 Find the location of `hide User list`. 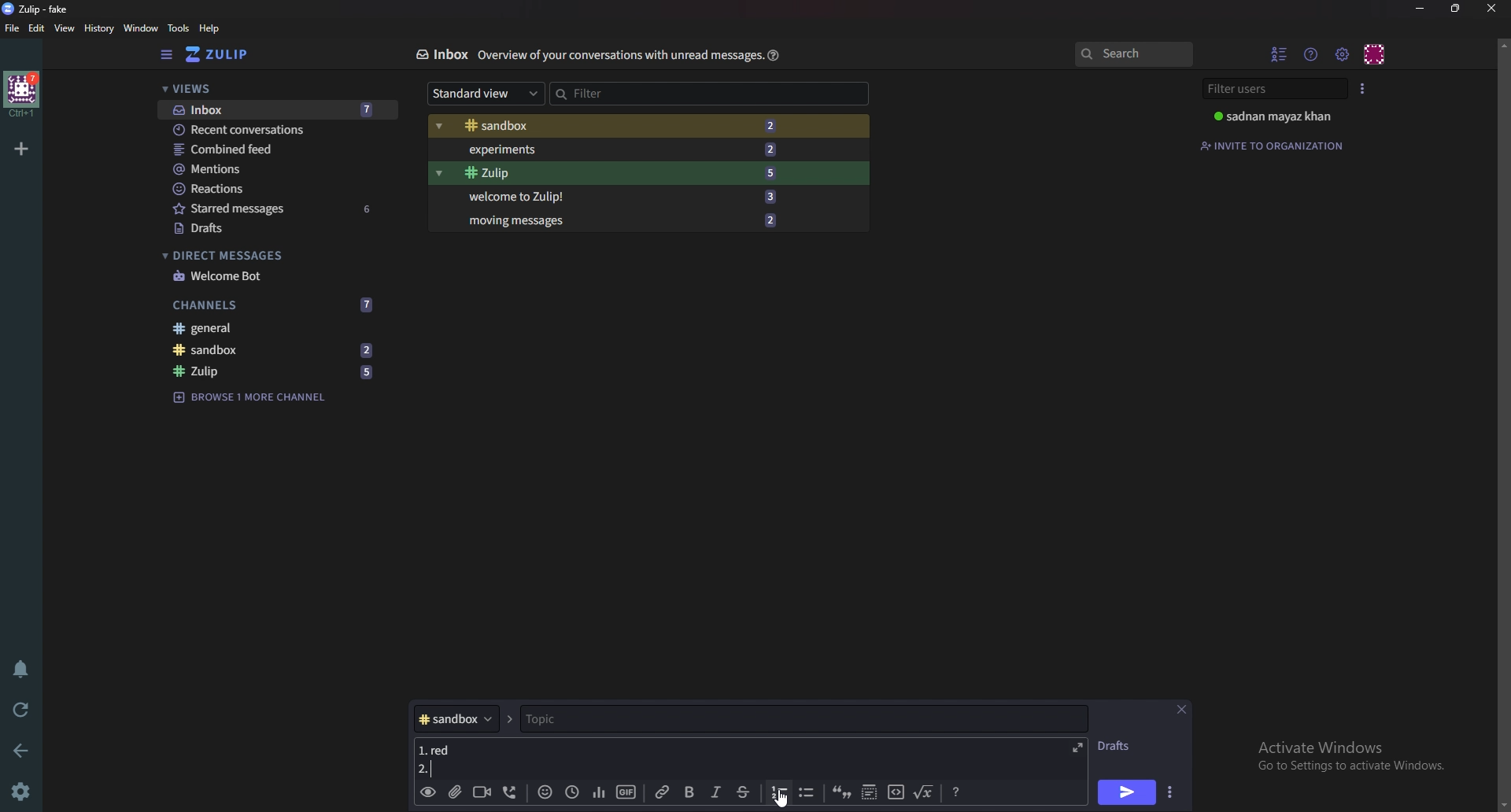

hide User list is located at coordinates (1280, 54).